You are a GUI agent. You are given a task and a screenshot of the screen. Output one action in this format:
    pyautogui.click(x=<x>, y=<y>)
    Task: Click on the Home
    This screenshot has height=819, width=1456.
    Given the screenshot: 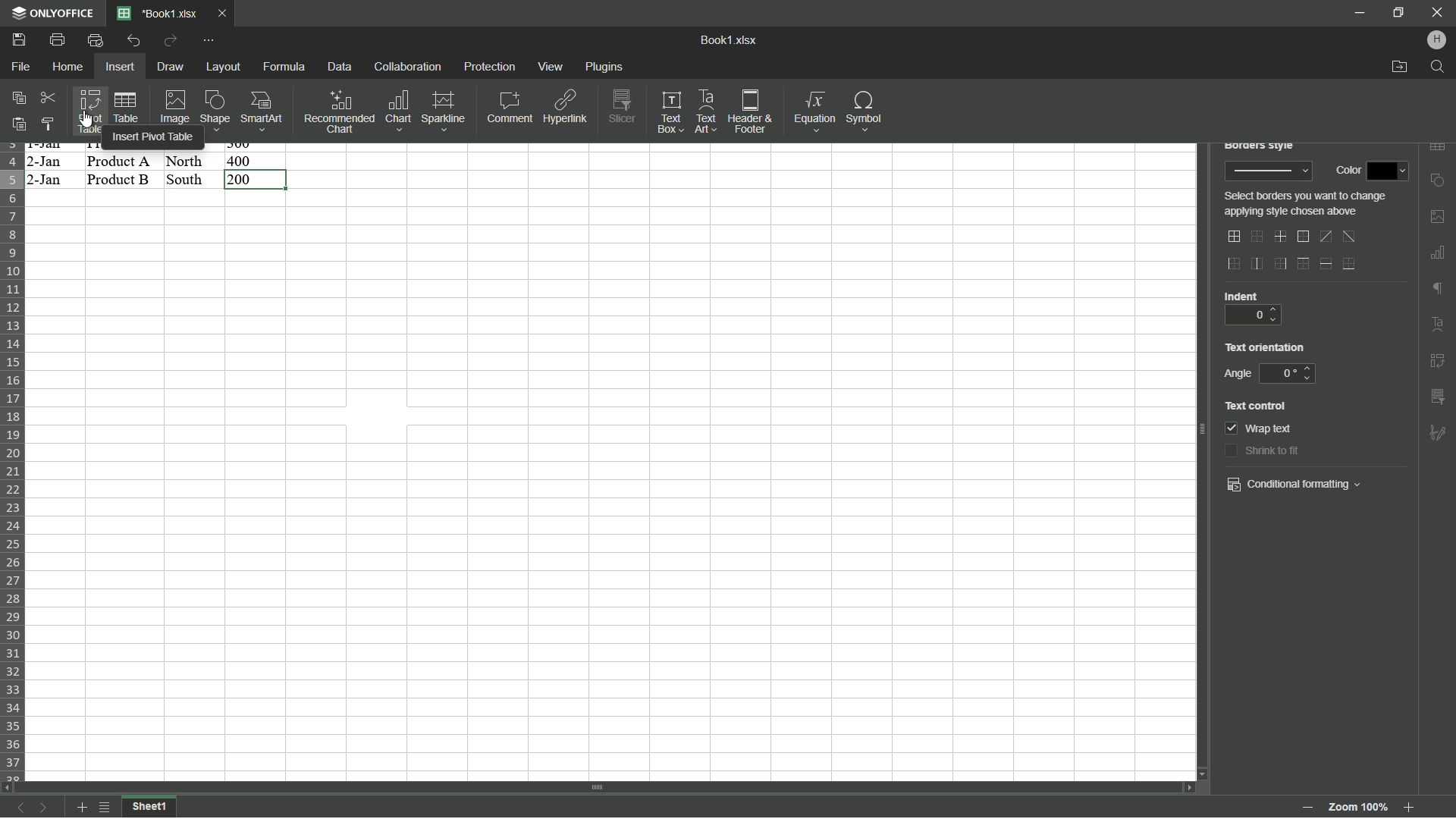 What is the action you would take?
    pyautogui.click(x=69, y=65)
    